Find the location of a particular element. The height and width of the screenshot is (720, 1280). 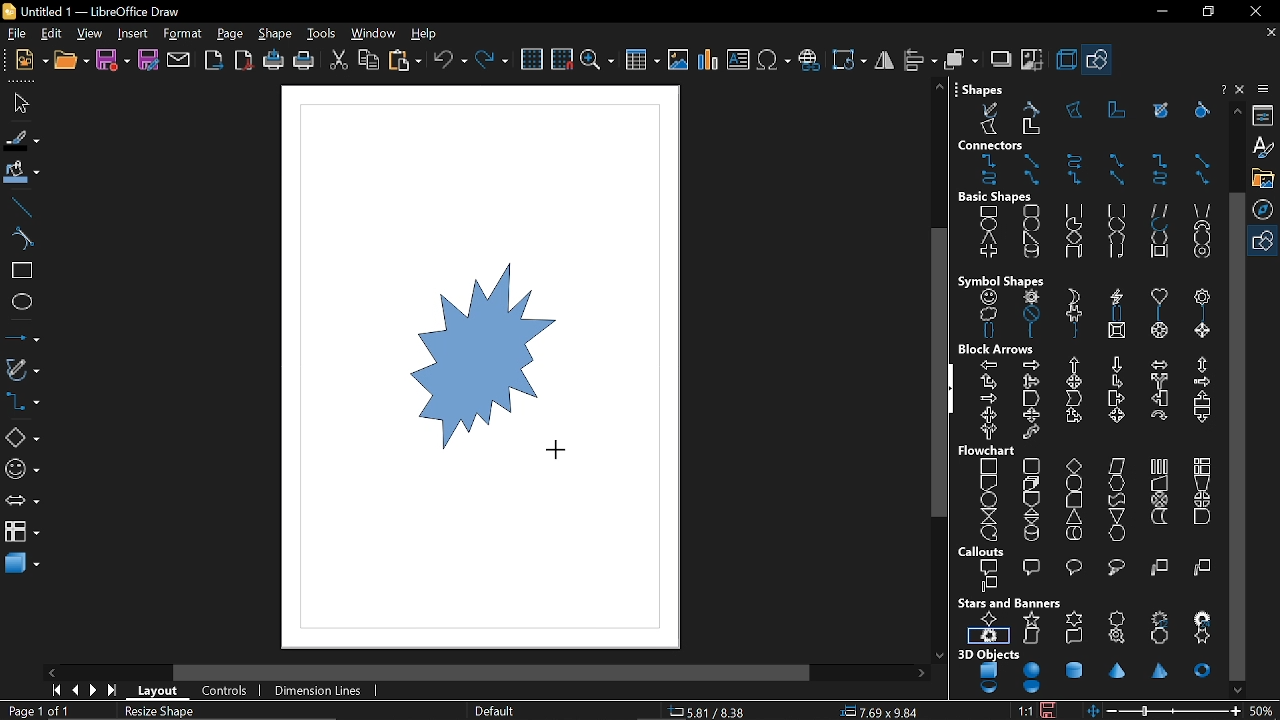

cut is located at coordinates (340, 60).